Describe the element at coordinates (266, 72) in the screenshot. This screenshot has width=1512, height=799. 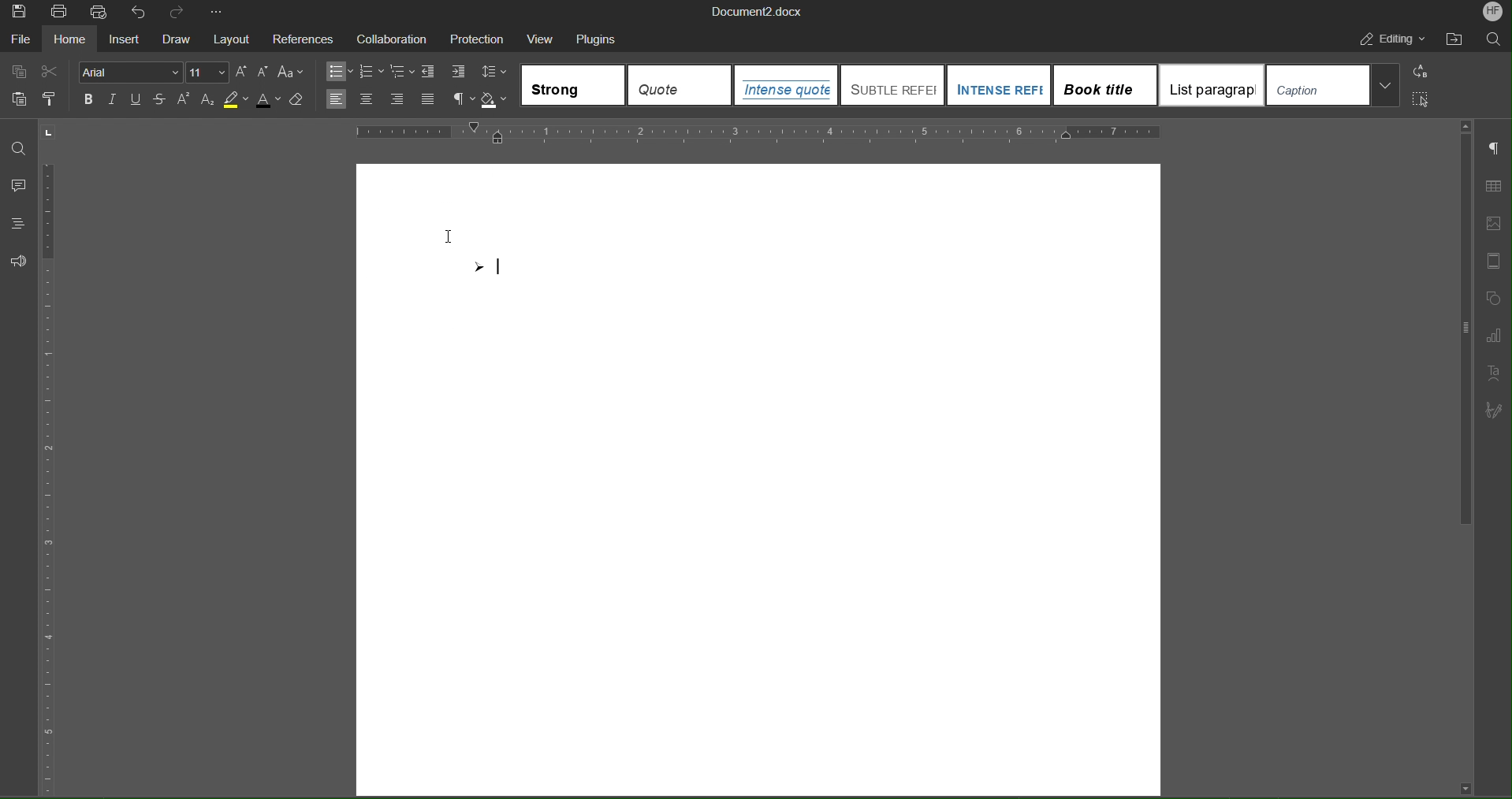
I see `Decrease Size` at that location.